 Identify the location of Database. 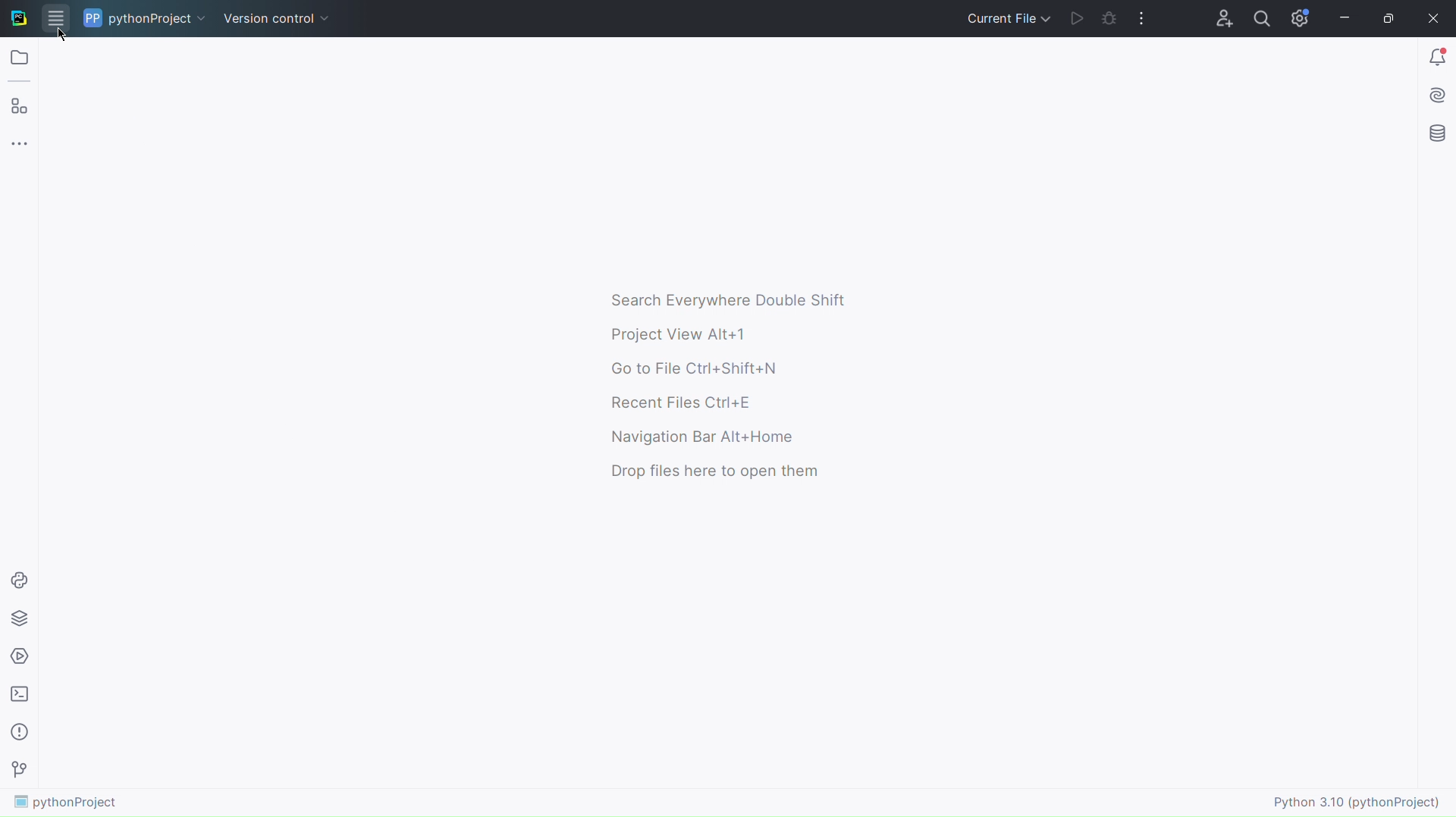
(1439, 135).